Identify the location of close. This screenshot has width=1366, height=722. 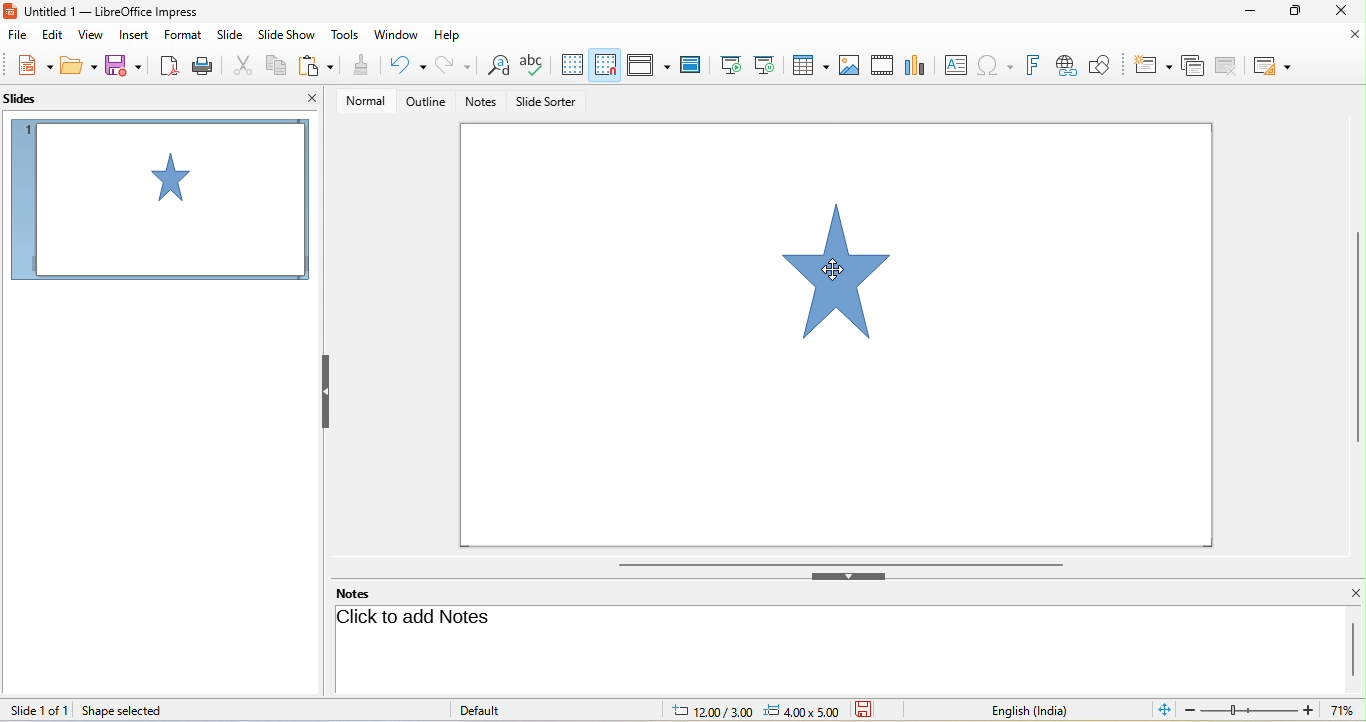
(1351, 36).